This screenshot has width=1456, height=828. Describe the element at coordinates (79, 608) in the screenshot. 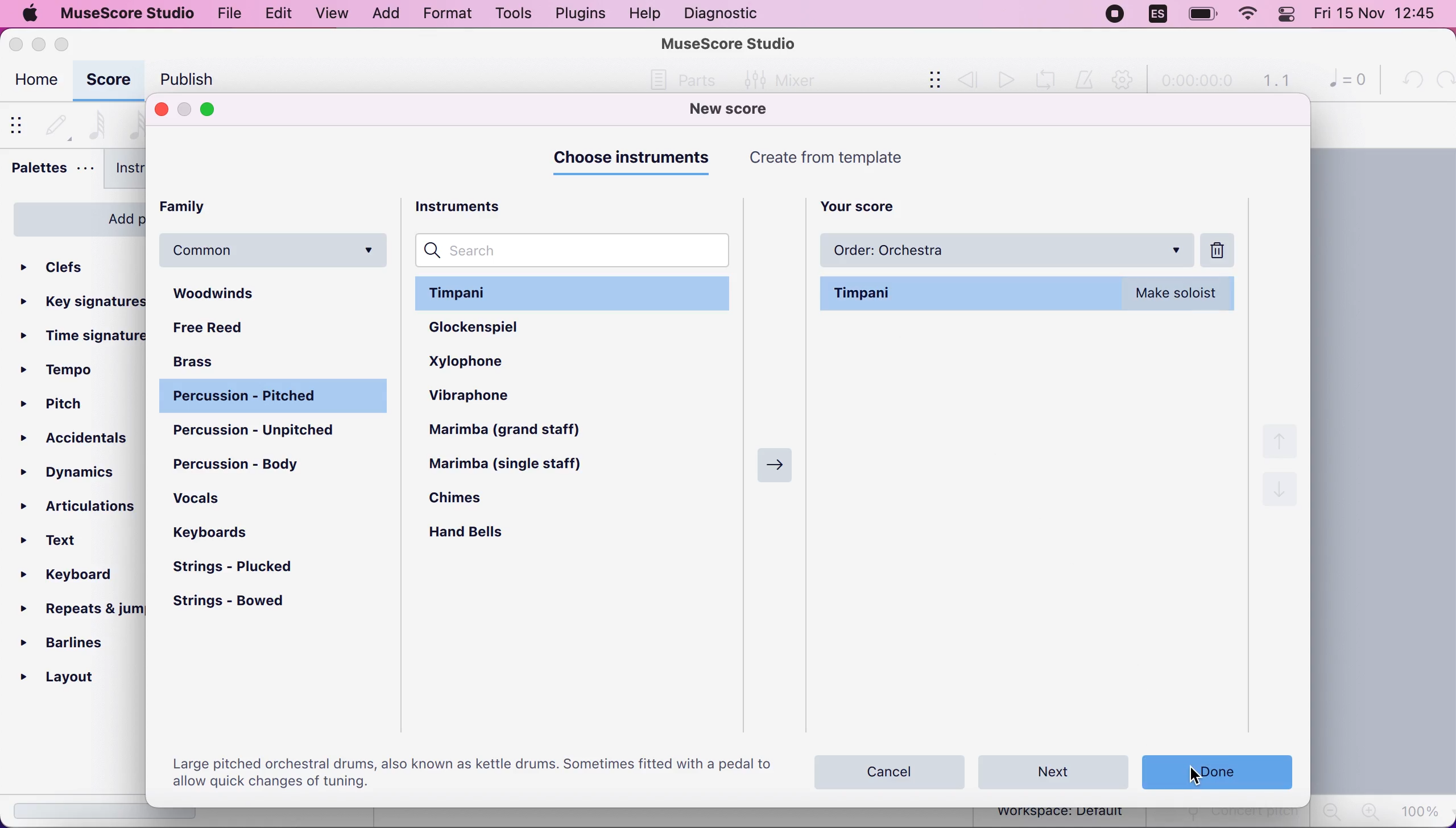

I see `repeats and jumps` at that location.